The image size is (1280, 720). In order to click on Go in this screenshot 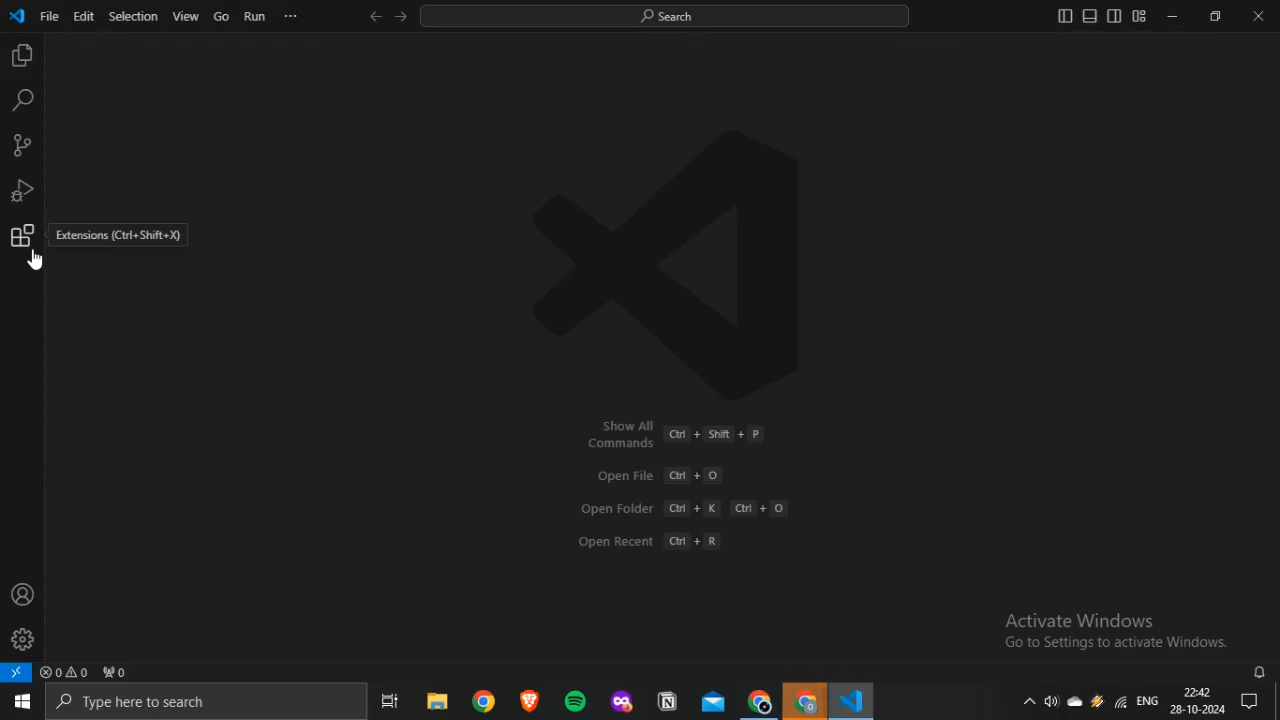, I will do `click(221, 16)`.